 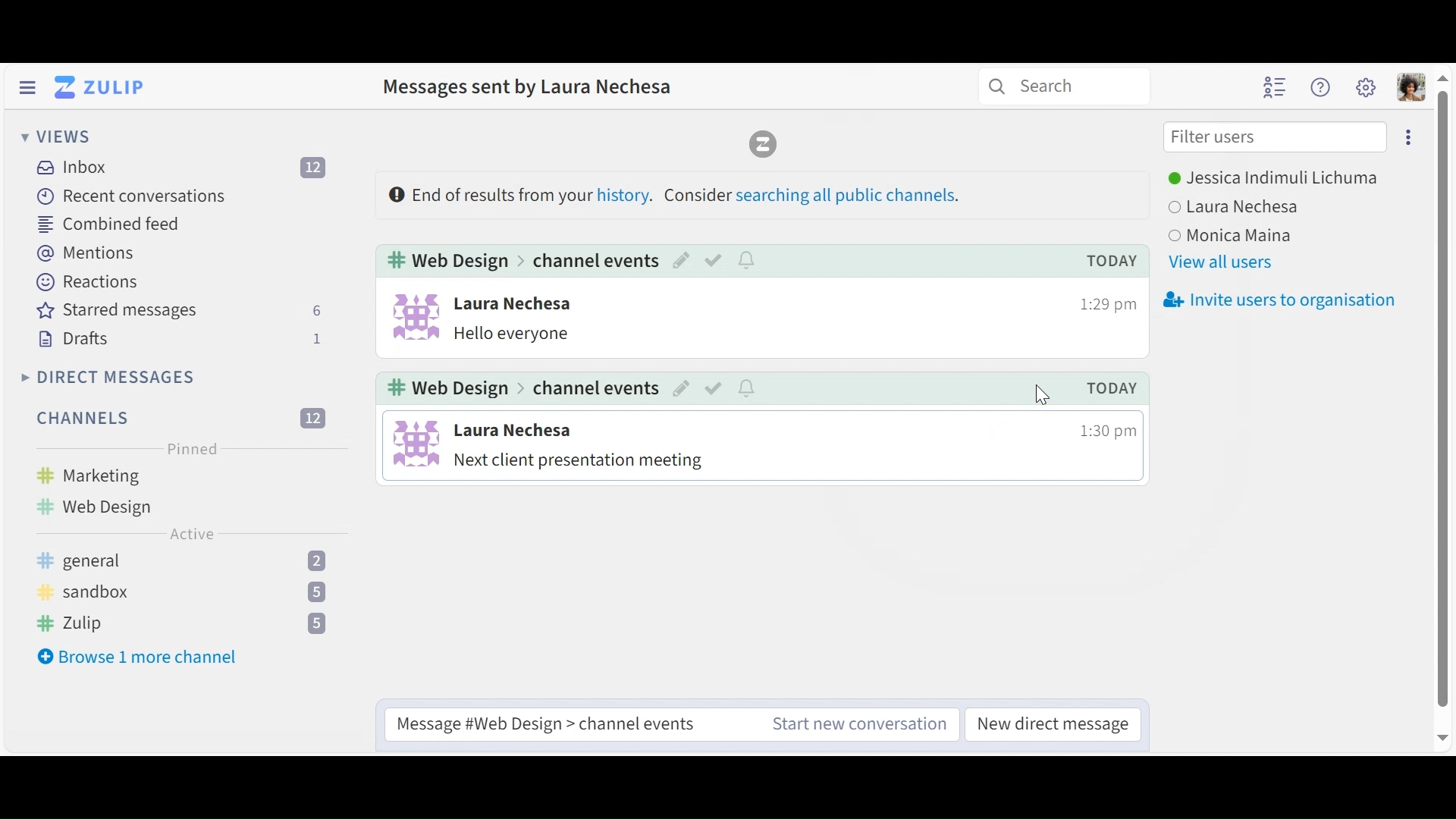 What do you see at coordinates (1045, 397) in the screenshot?
I see `cursor` at bounding box center [1045, 397].